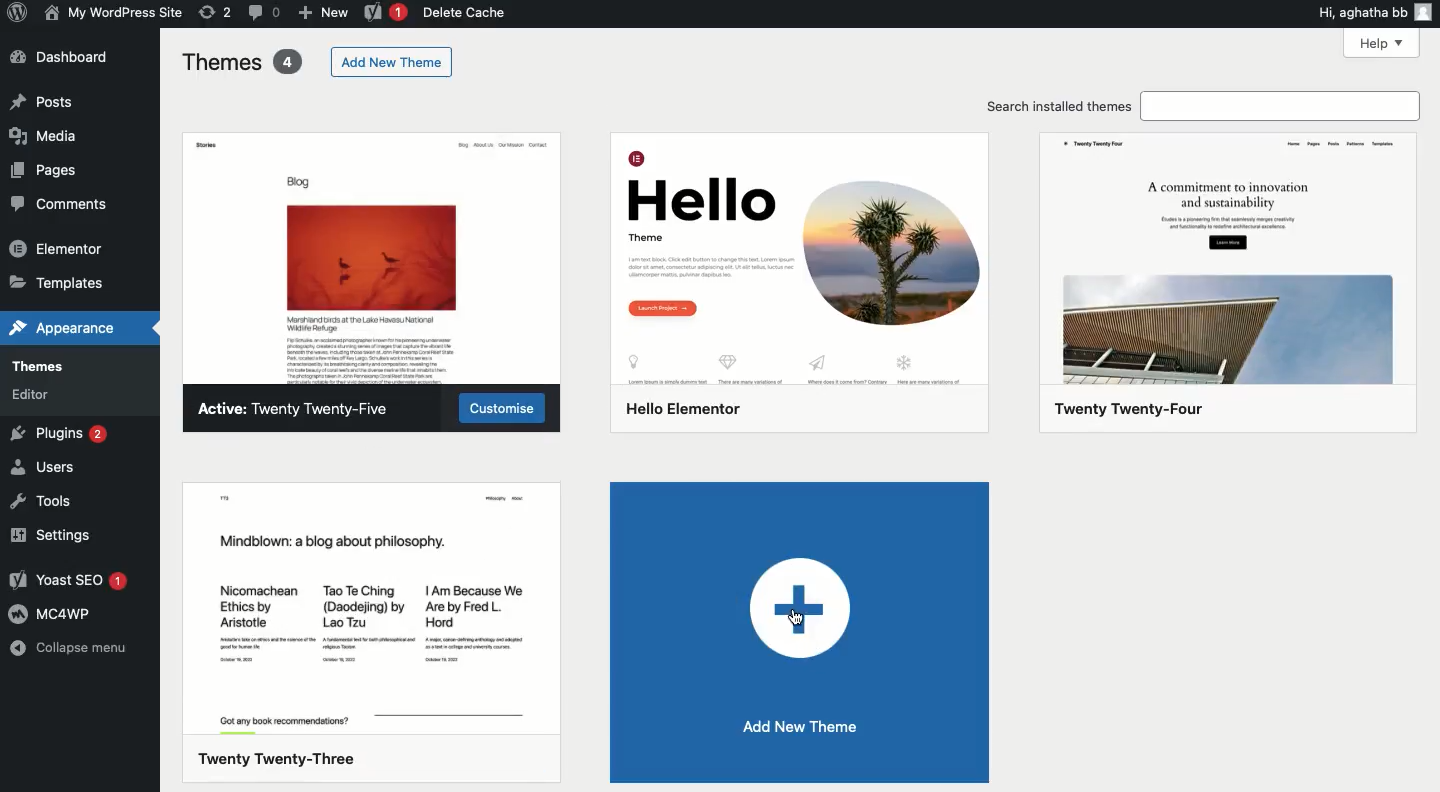 Image resolution: width=1440 pixels, height=792 pixels. What do you see at coordinates (44, 469) in the screenshot?
I see `Users` at bounding box center [44, 469].